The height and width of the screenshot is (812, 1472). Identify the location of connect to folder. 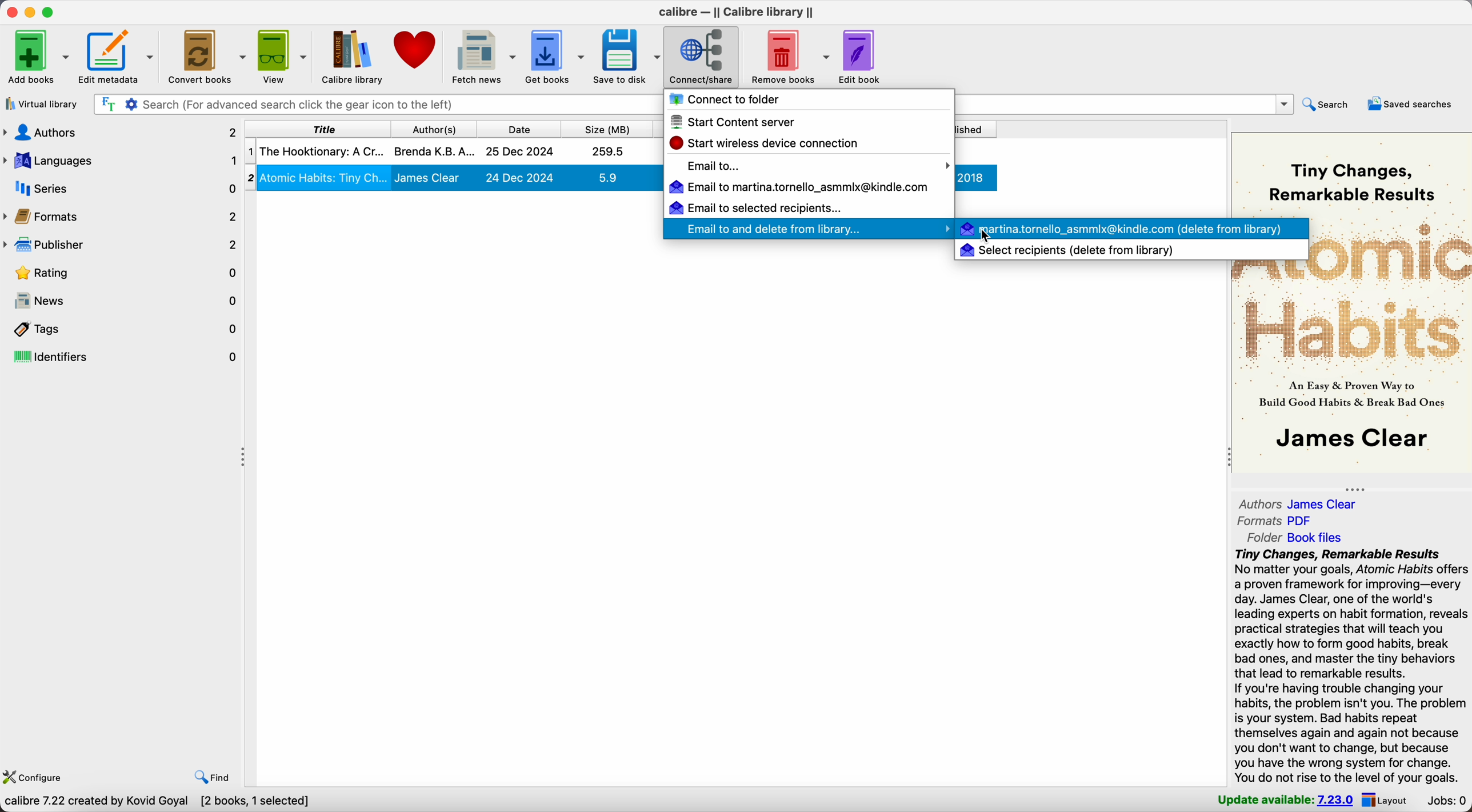
(730, 102).